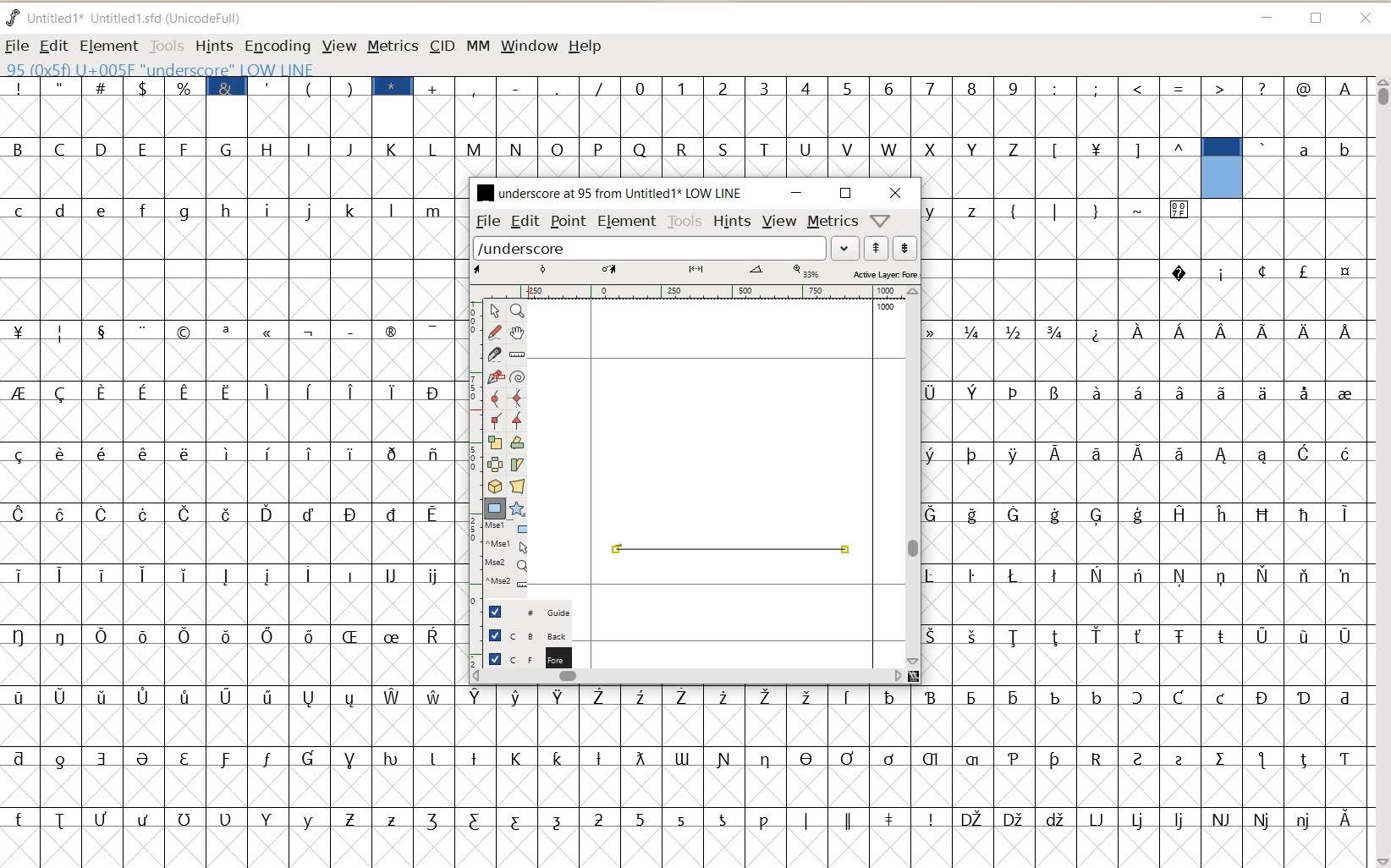  What do you see at coordinates (494, 464) in the screenshot?
I see `flip the selection` at bounding box center [494, 464].